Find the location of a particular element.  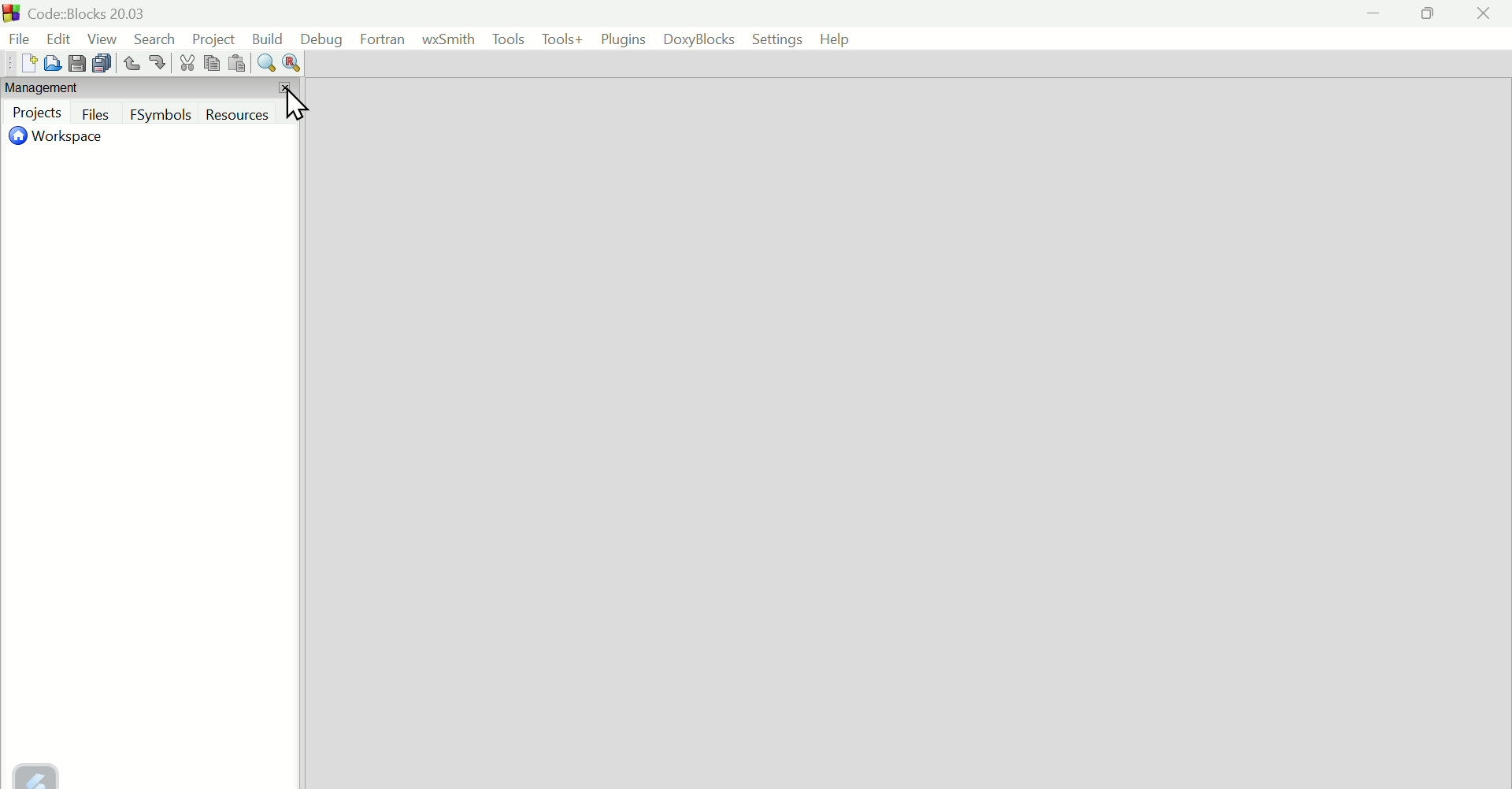

Cursor is located at coordinates (298, 104).